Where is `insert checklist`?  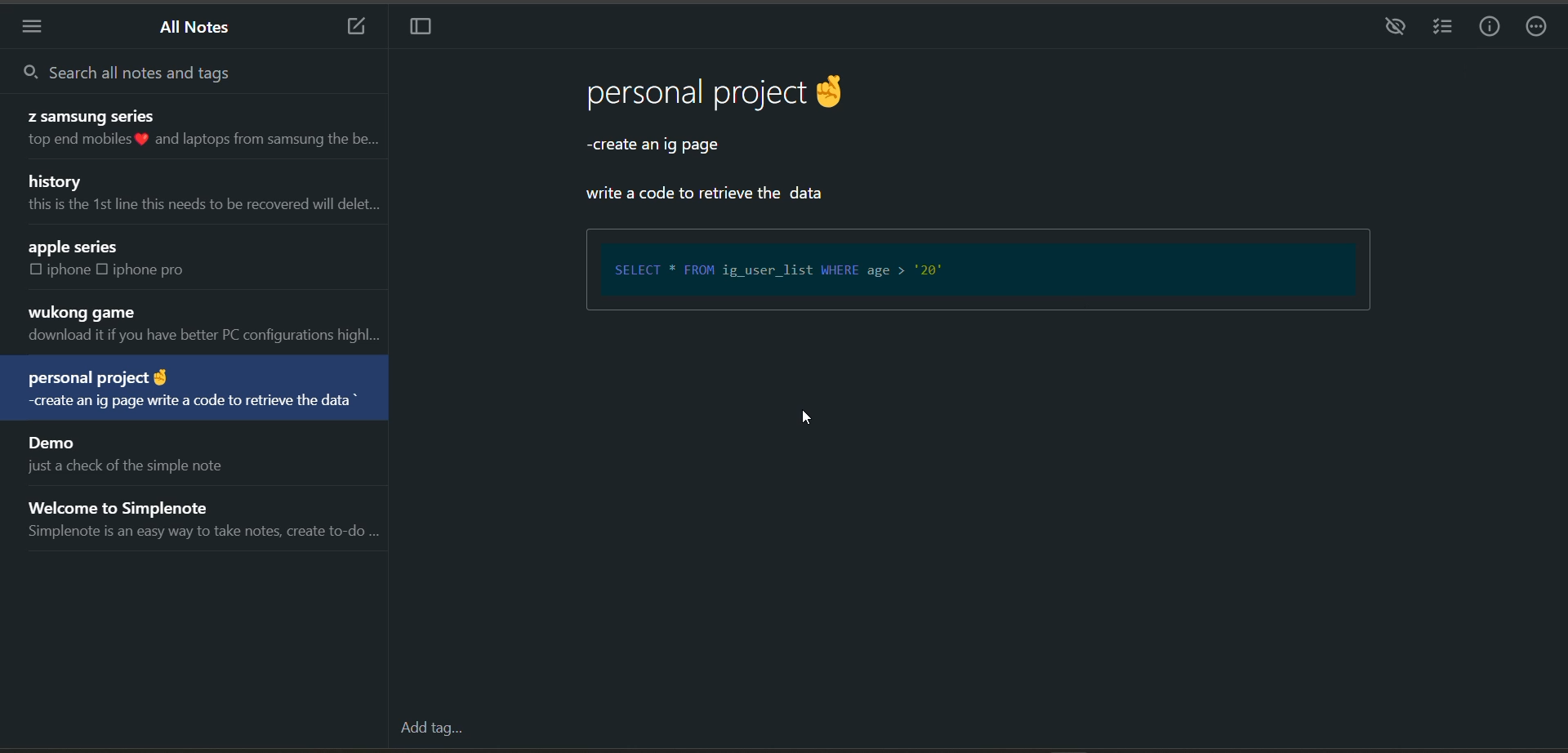 insert checklist is located at coordinates (1441, 28).